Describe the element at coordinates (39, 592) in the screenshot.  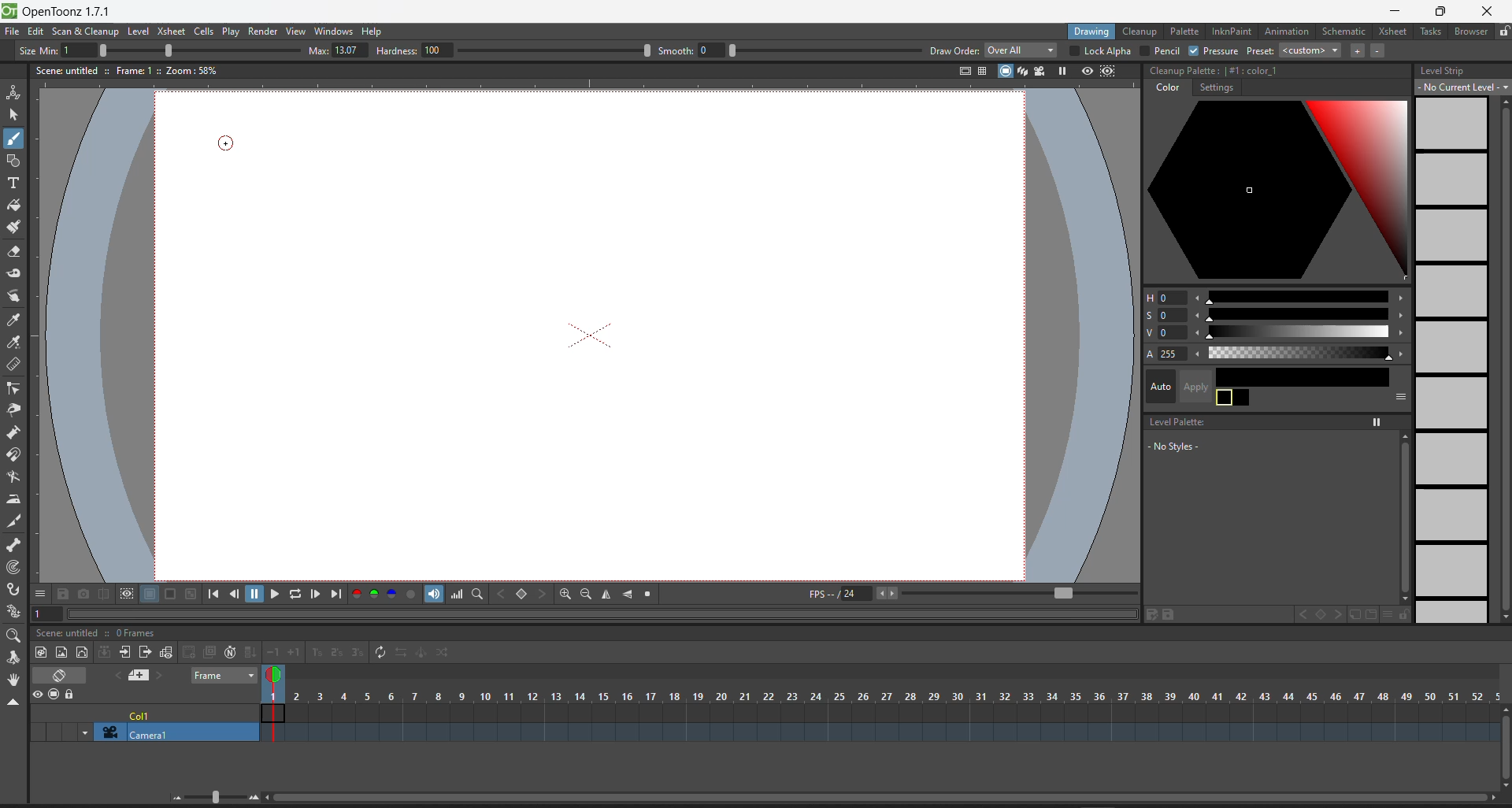
I see `more options` at that location.